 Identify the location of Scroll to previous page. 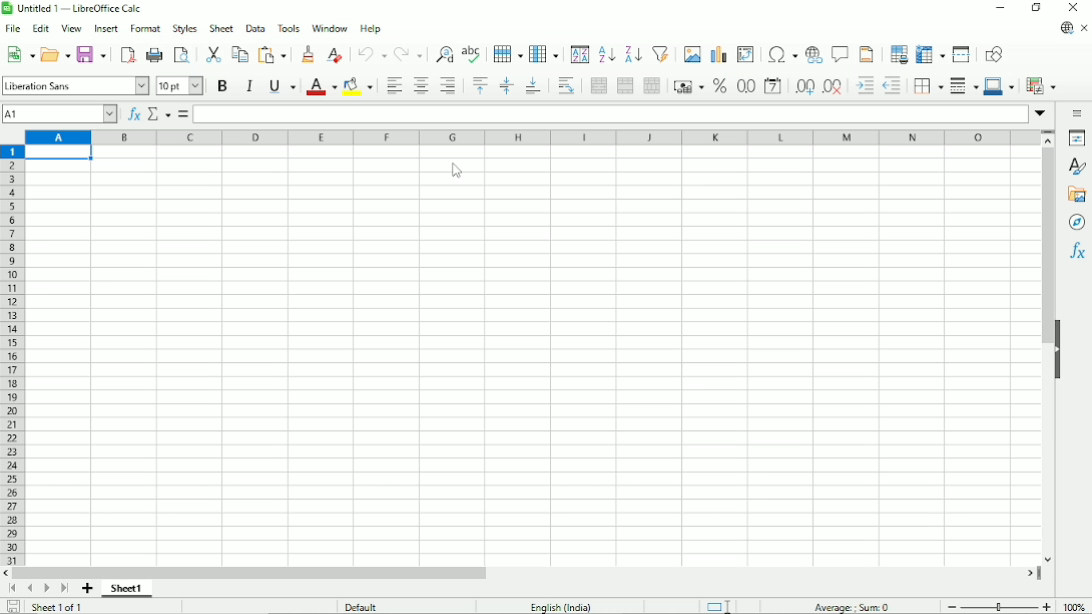
(29, 589).